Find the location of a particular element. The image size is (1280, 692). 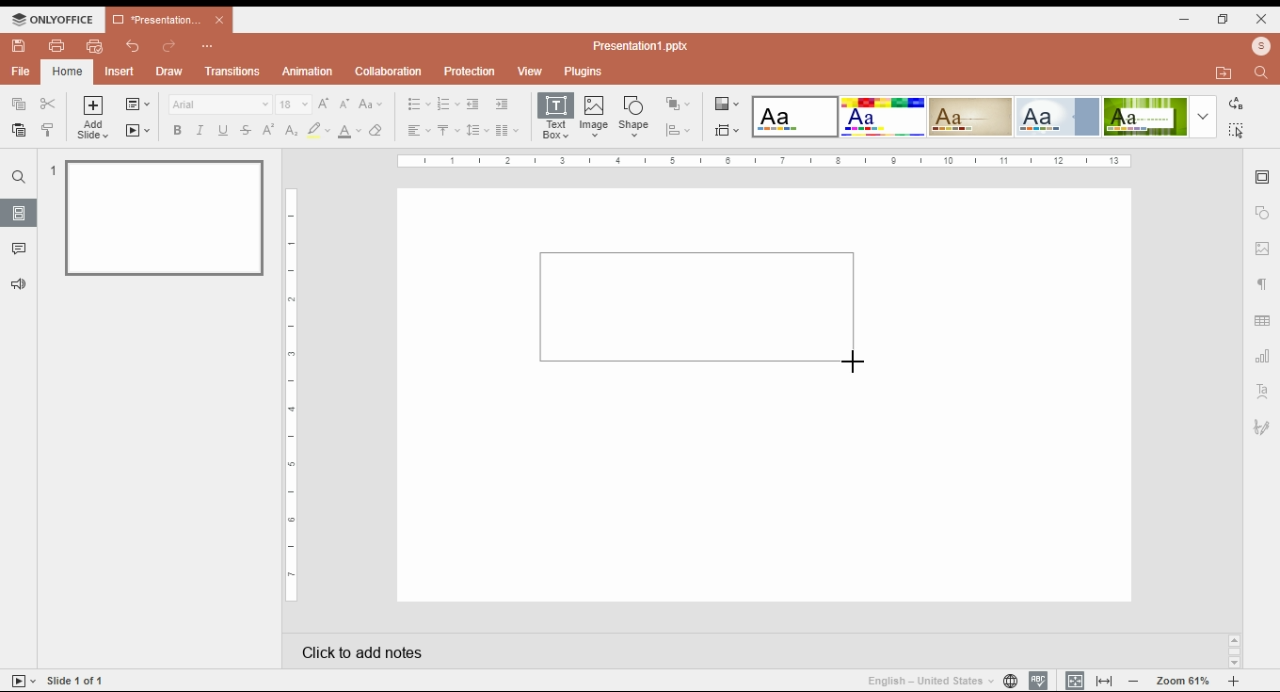

print file is located at coordinates (55, 46).